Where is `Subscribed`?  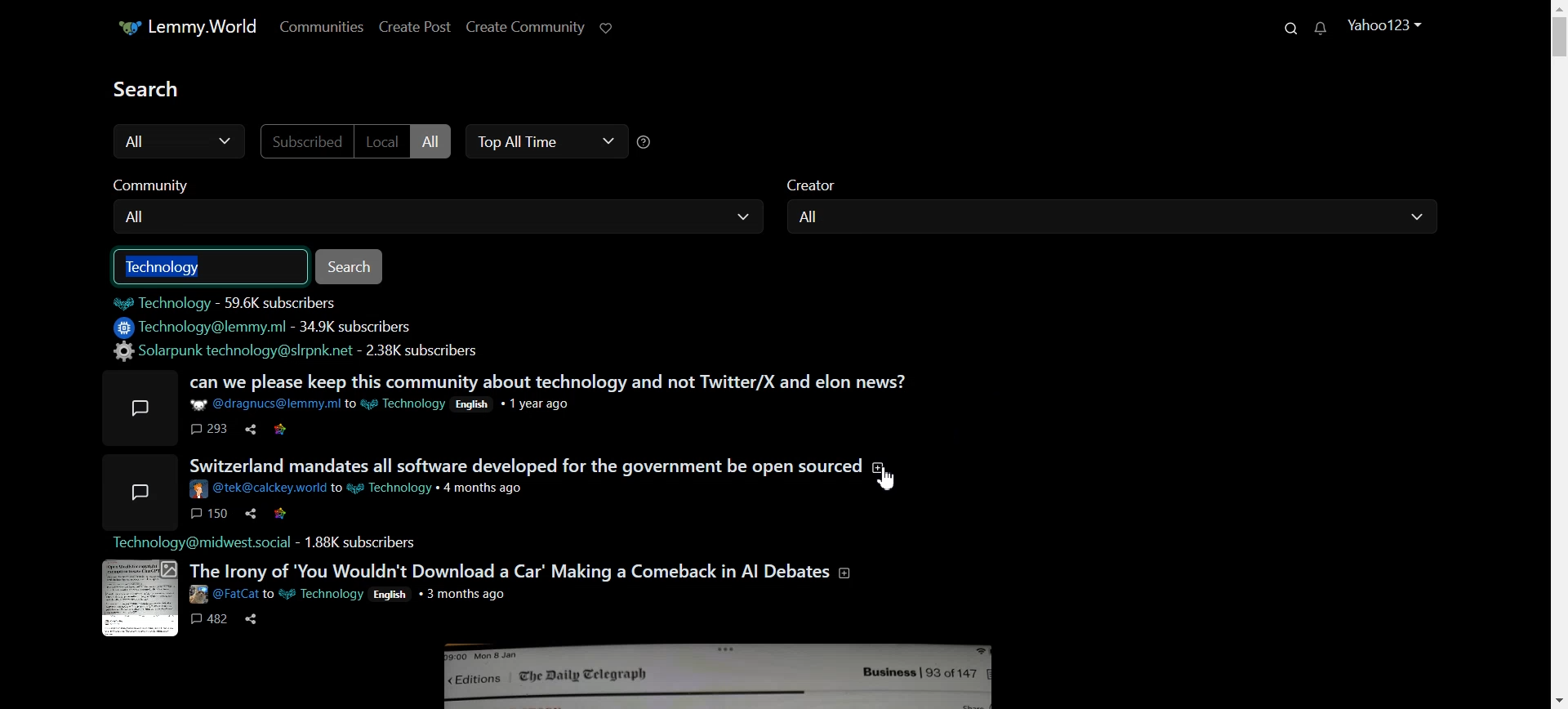 Subscribed is located at coordinates (309, 141).